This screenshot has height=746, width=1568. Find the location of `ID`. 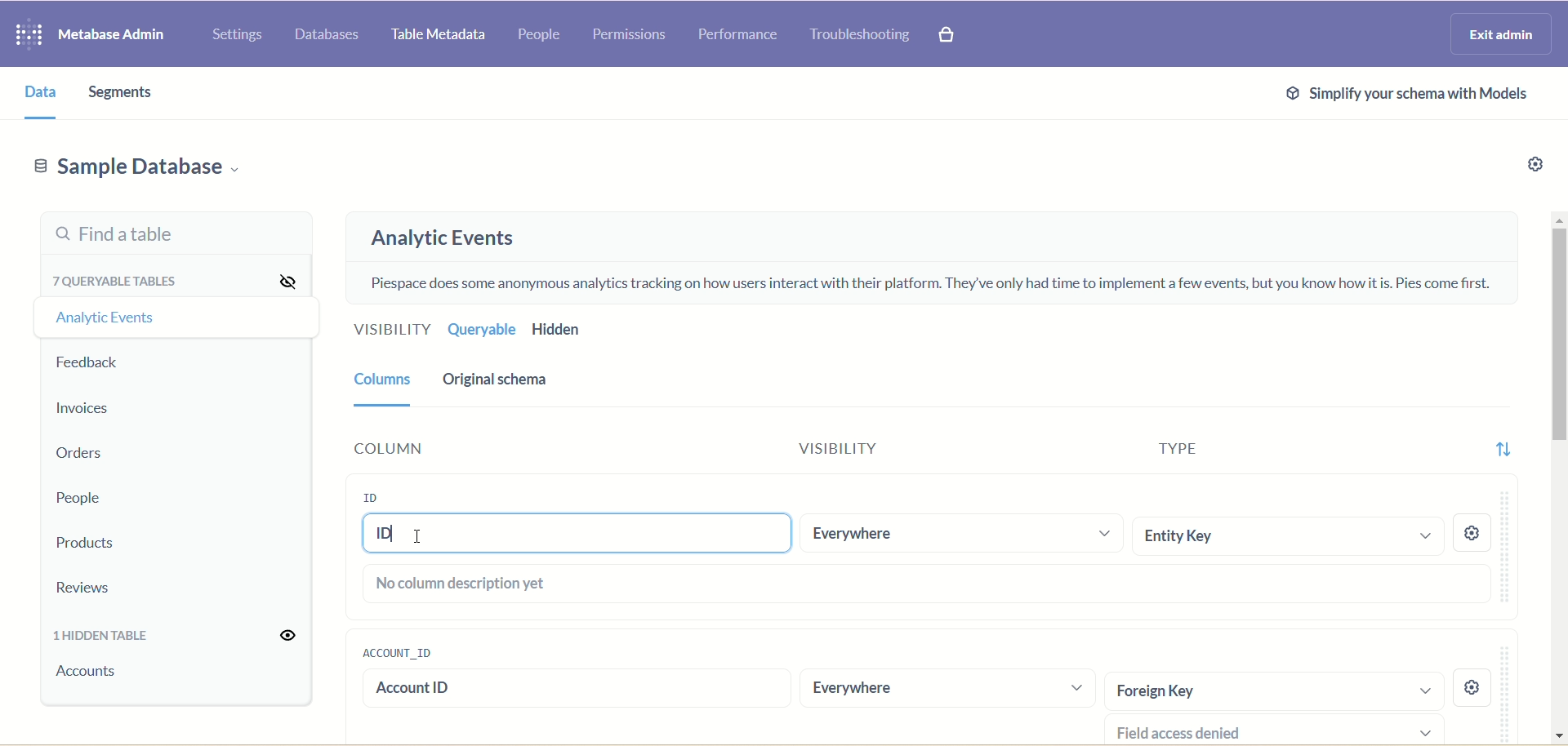

ID is located at coordinates (575, 534).